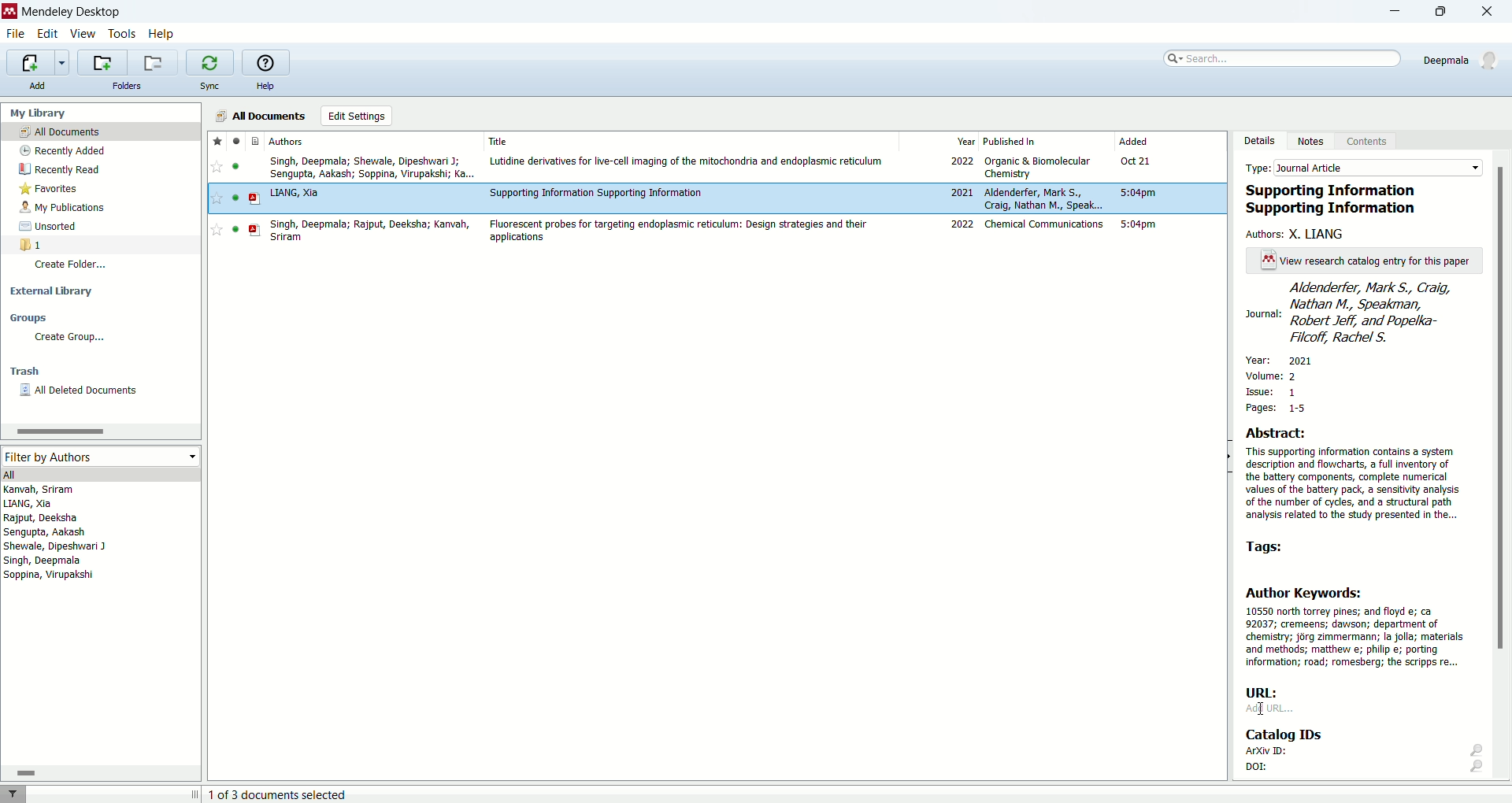 Image resolution: width=1512 pixels, height=803 pixels. What do you see at coordinates (100, 772) in the screenshot?
I see `horizontal scroll bar` at bounding box center [100, 772].